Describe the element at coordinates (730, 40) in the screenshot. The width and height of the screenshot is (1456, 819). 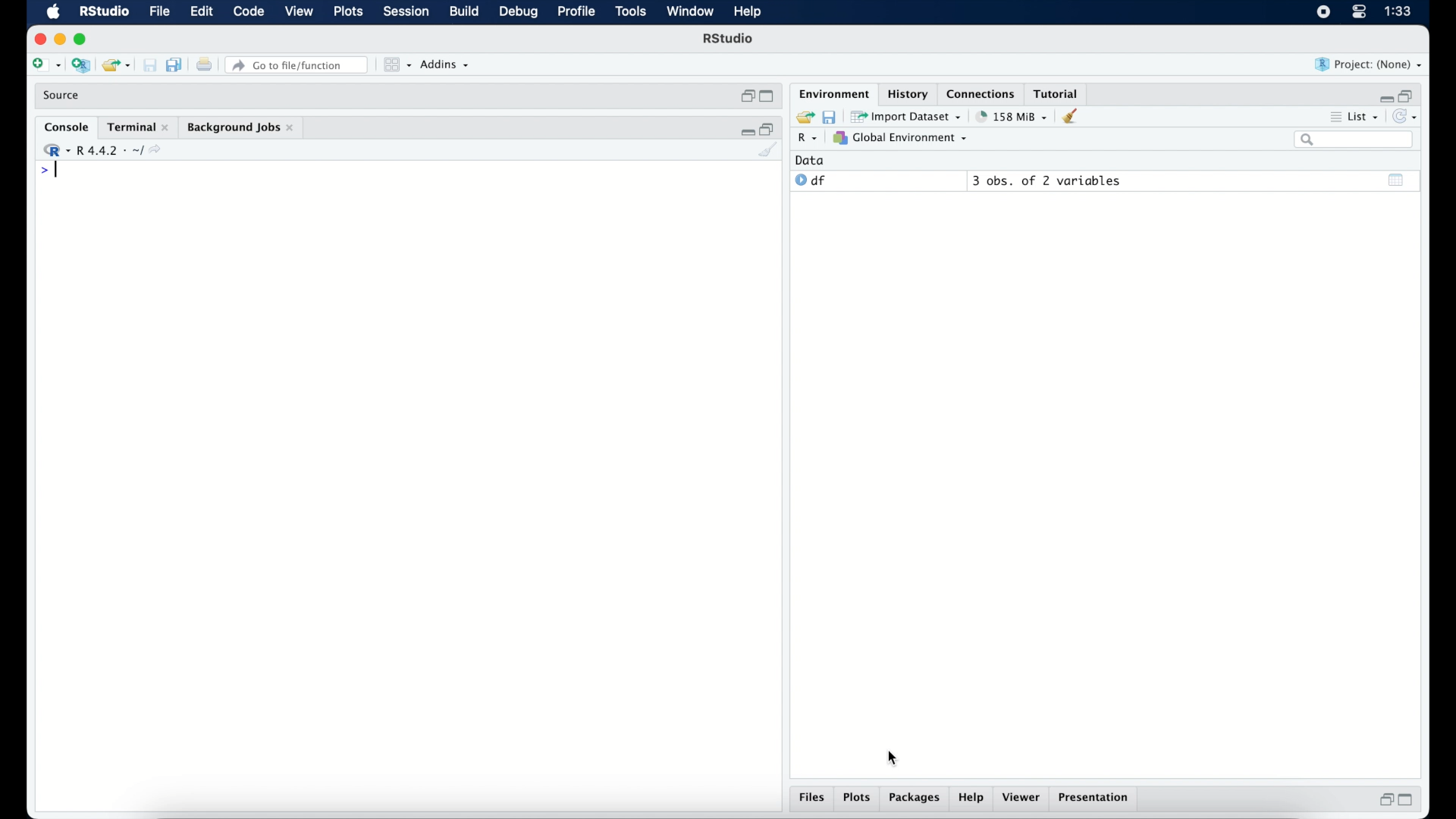
I see `R Studio` at that location.